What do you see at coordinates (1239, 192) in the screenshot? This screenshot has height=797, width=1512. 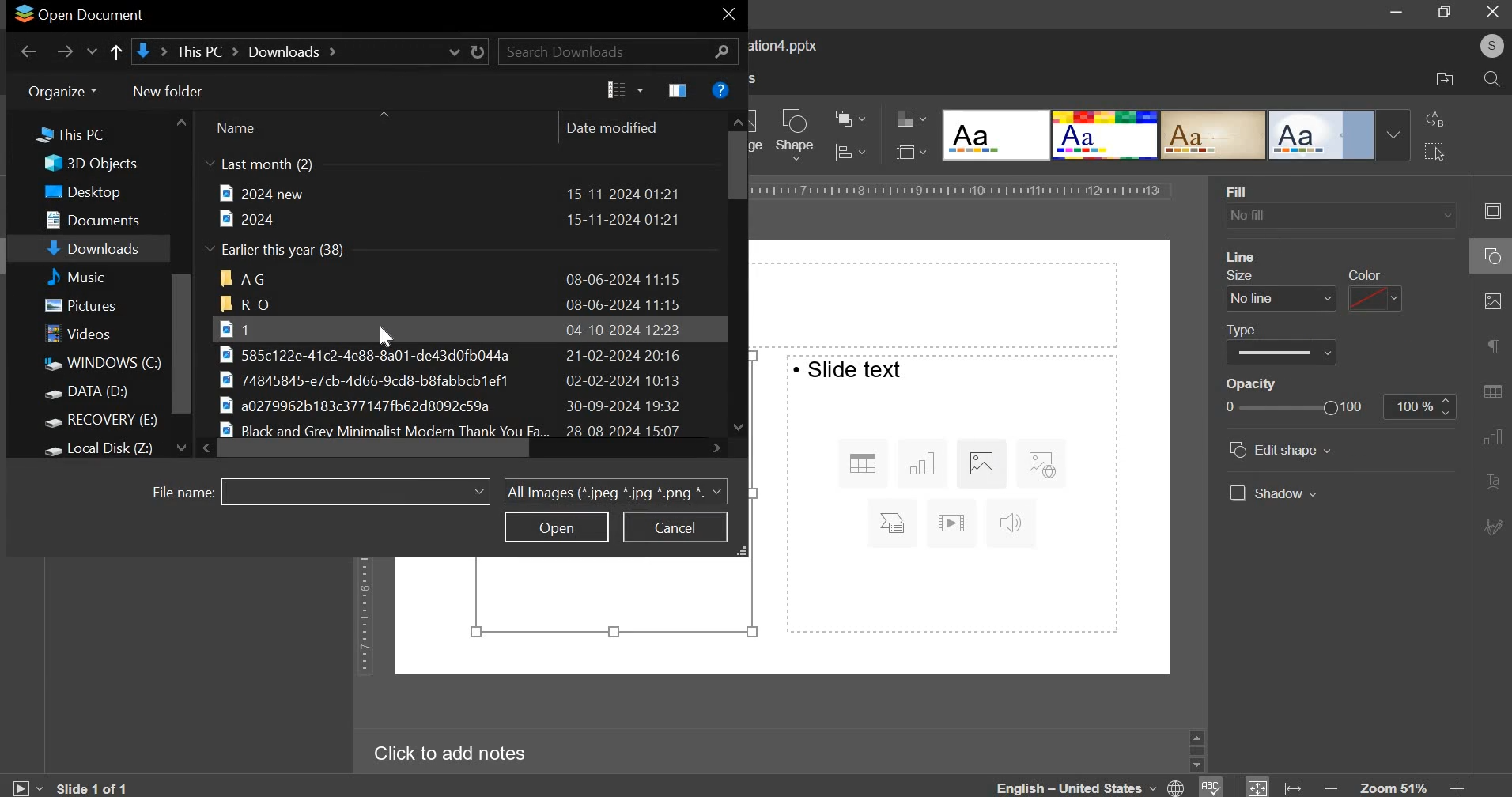 I see `fill` at bounding box center [1239, 192].